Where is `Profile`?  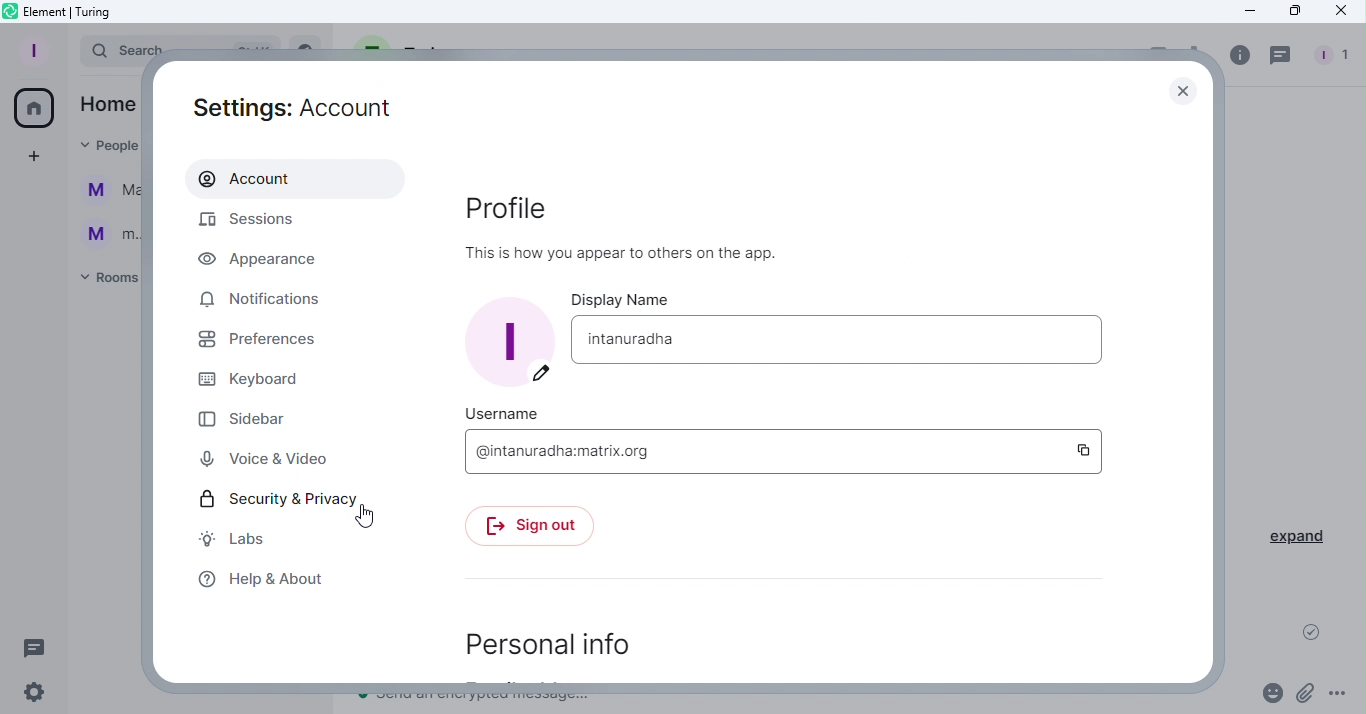 Profile is located at coordinates (35, 50).